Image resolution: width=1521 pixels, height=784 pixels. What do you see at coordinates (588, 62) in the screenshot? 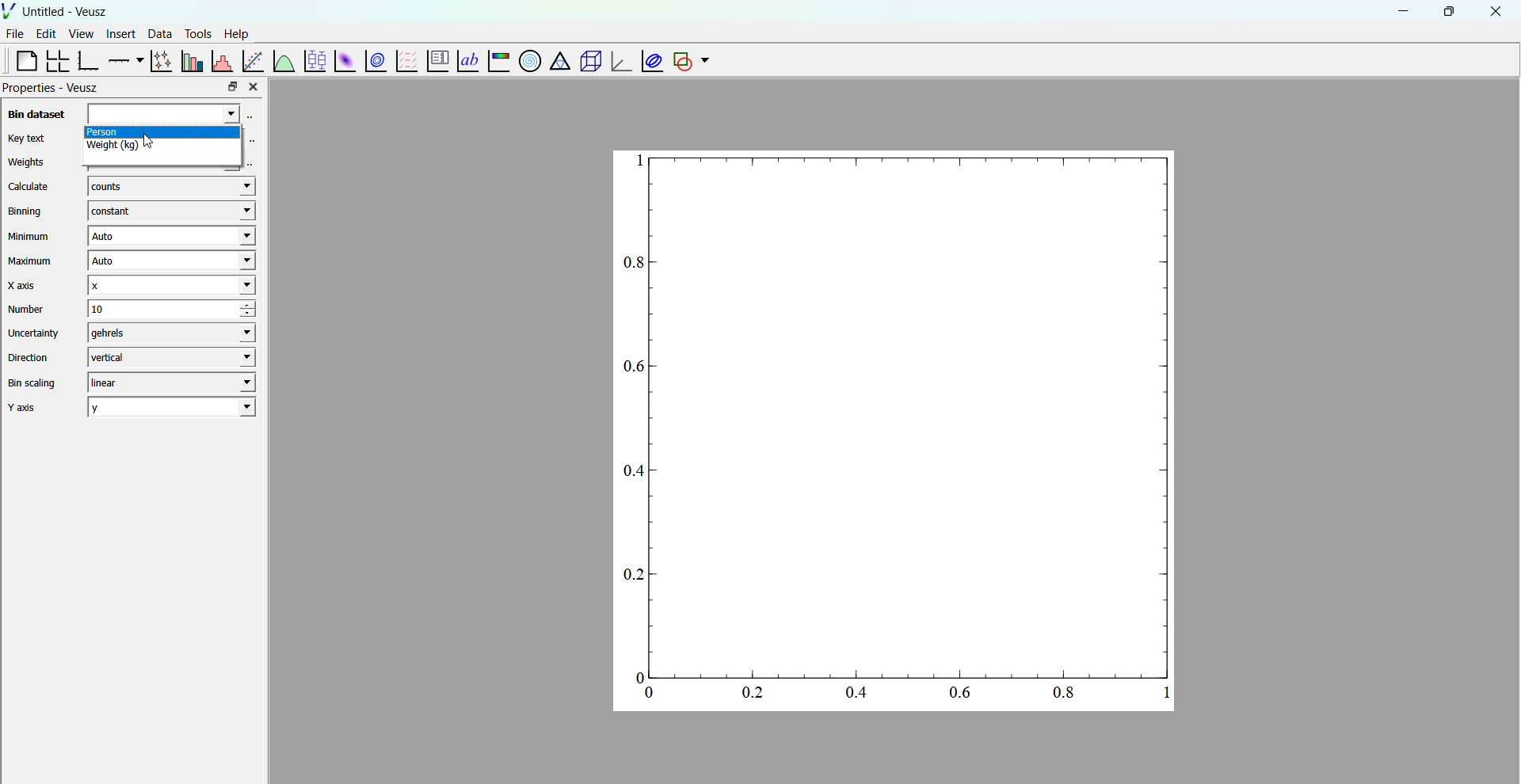
I see `3d scene` at bounding box center [588, 62].